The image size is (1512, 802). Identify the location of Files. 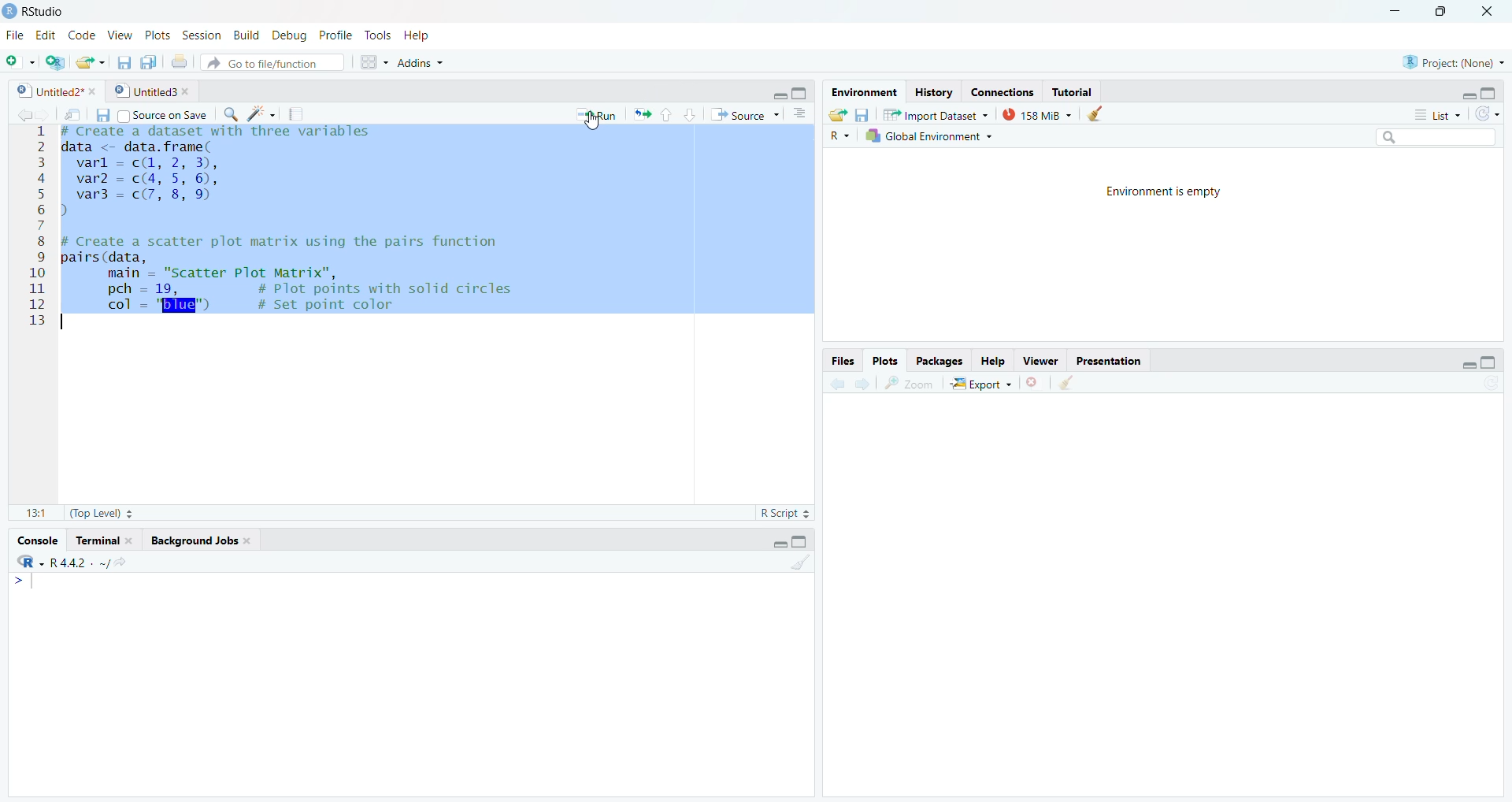
(840, 360).